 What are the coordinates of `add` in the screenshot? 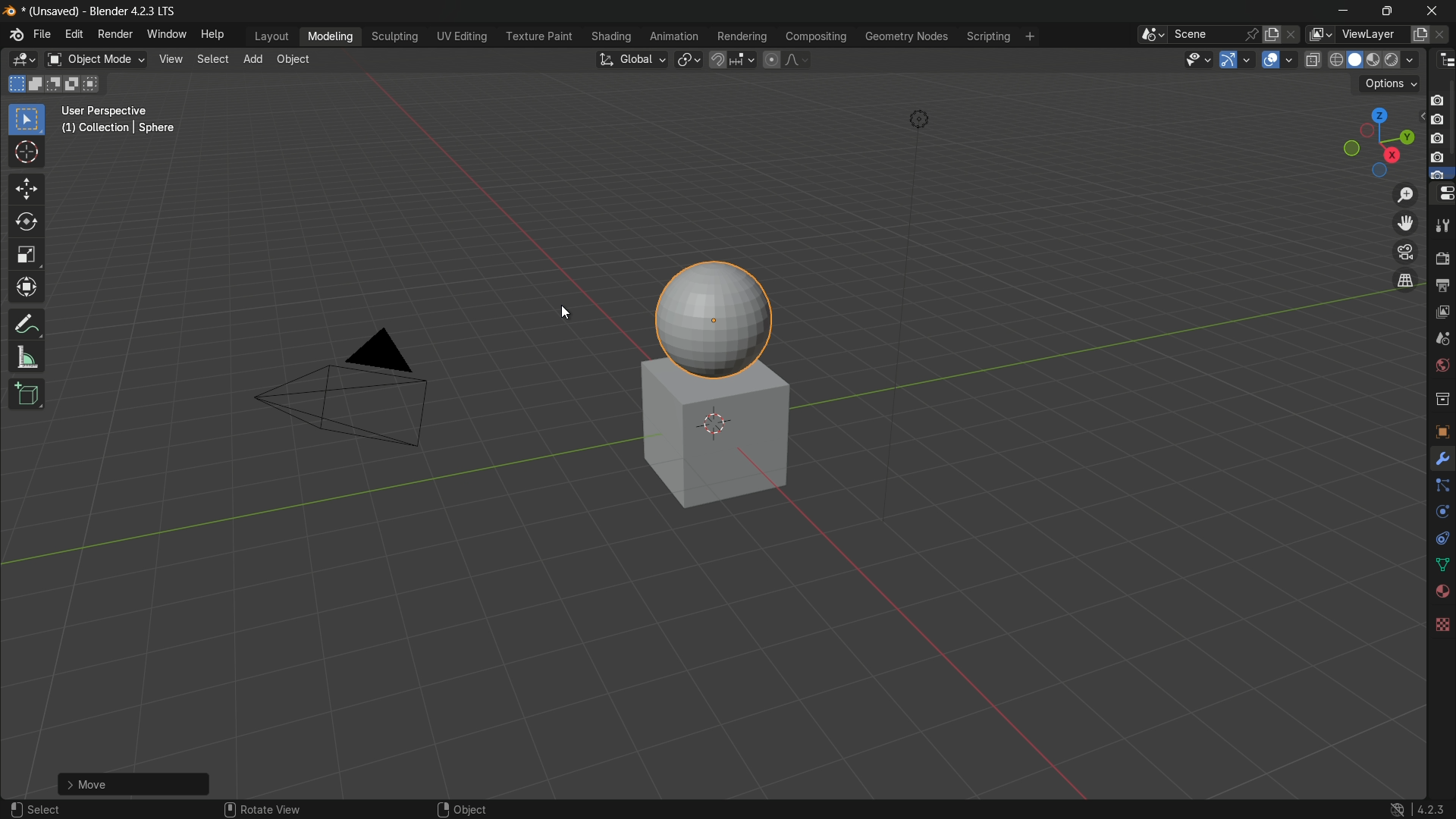 It's located at (253, 59).